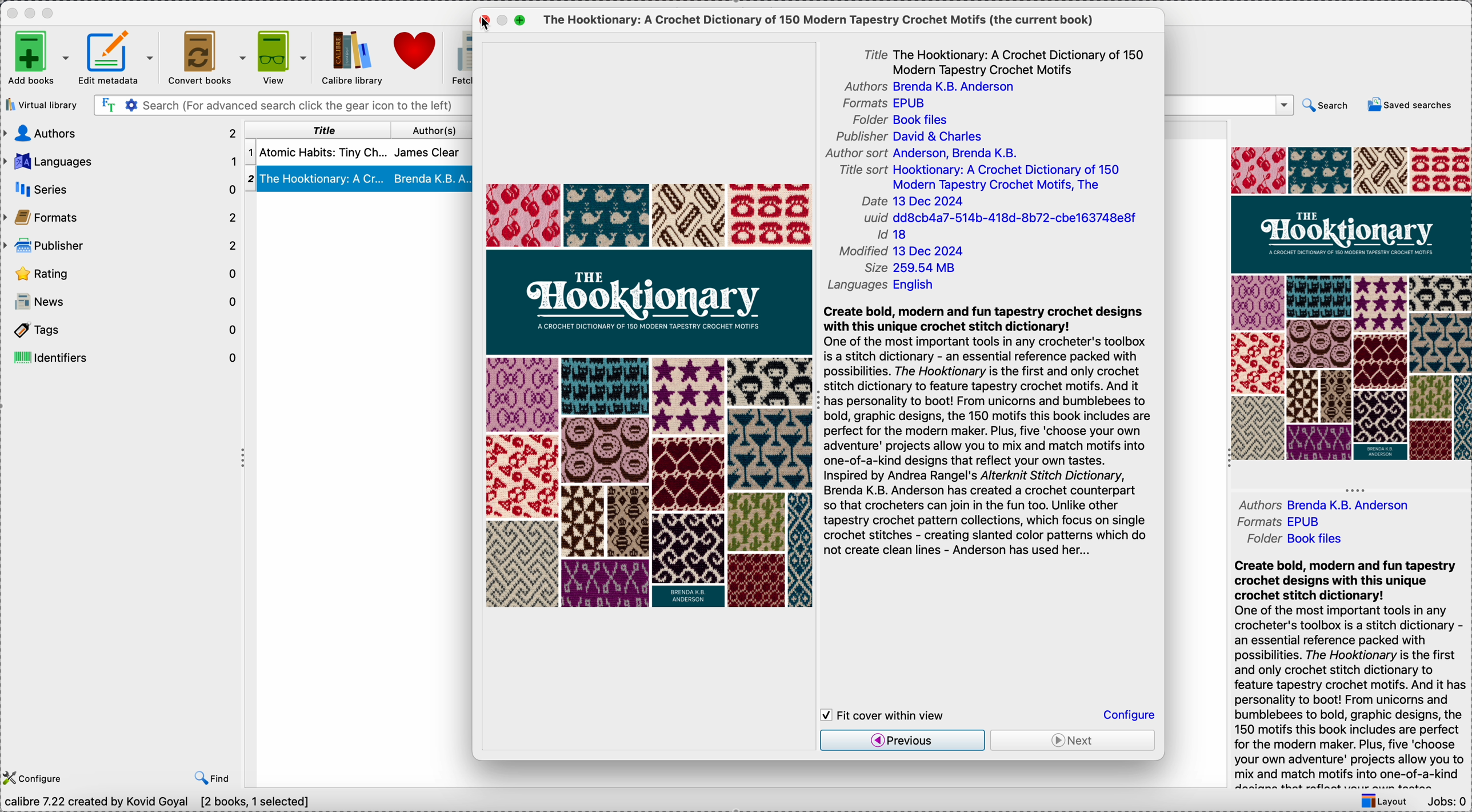  I want to click on virtual library, so click(43, 105).